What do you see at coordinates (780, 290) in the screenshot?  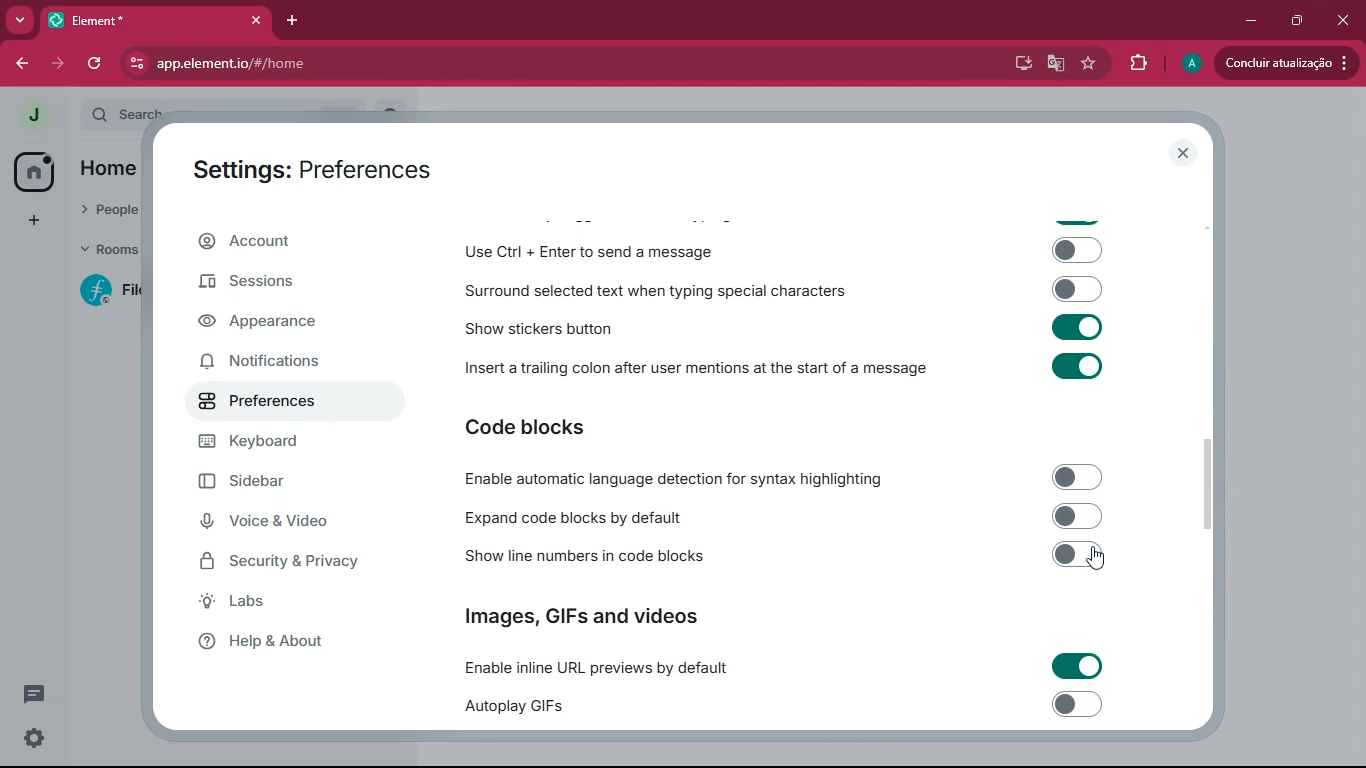 I see `Surround selected text when typing special characters` at bounding box center [780, 290].